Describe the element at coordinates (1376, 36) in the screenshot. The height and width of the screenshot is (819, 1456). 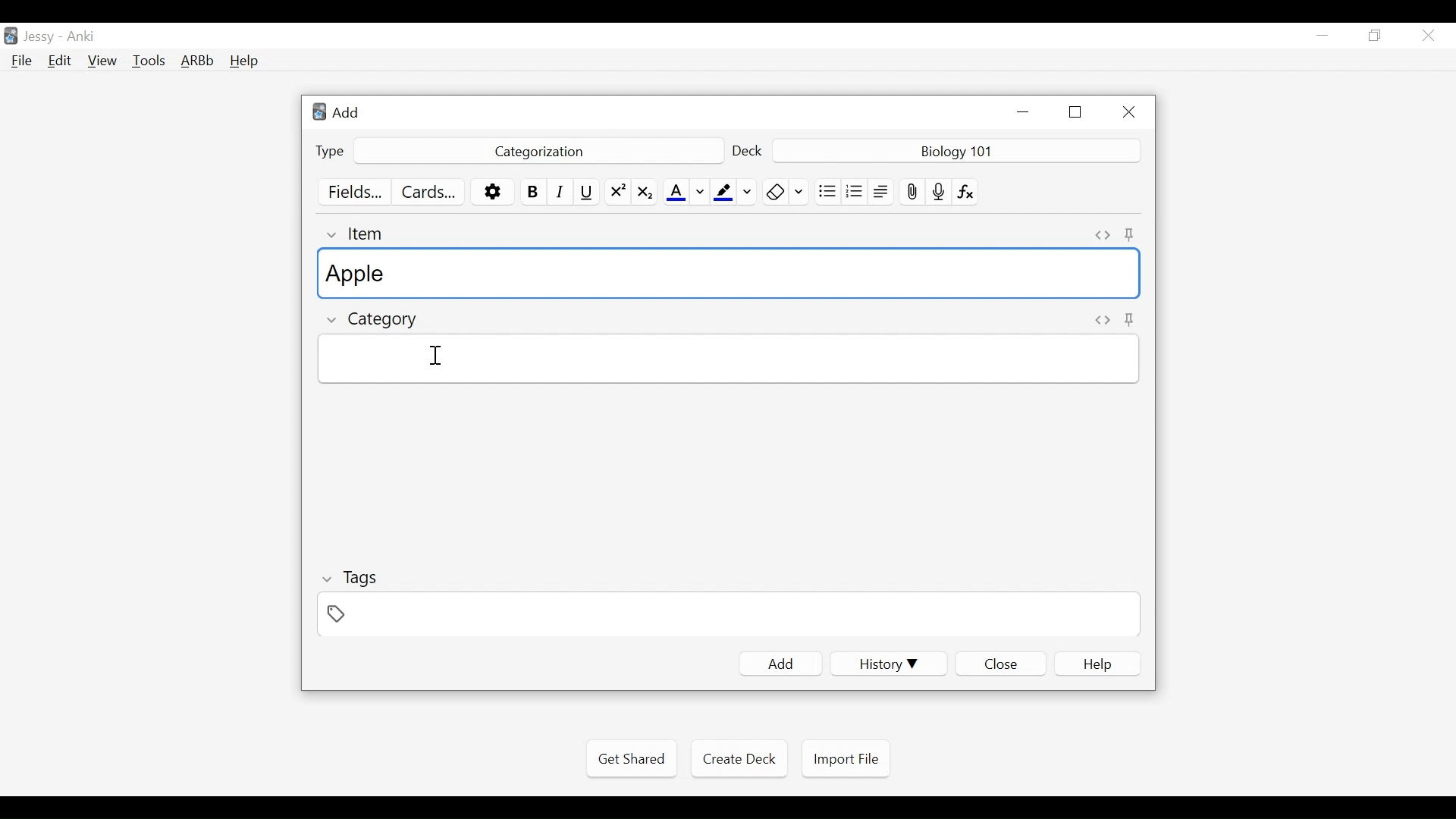
I see `Restore` at that location.